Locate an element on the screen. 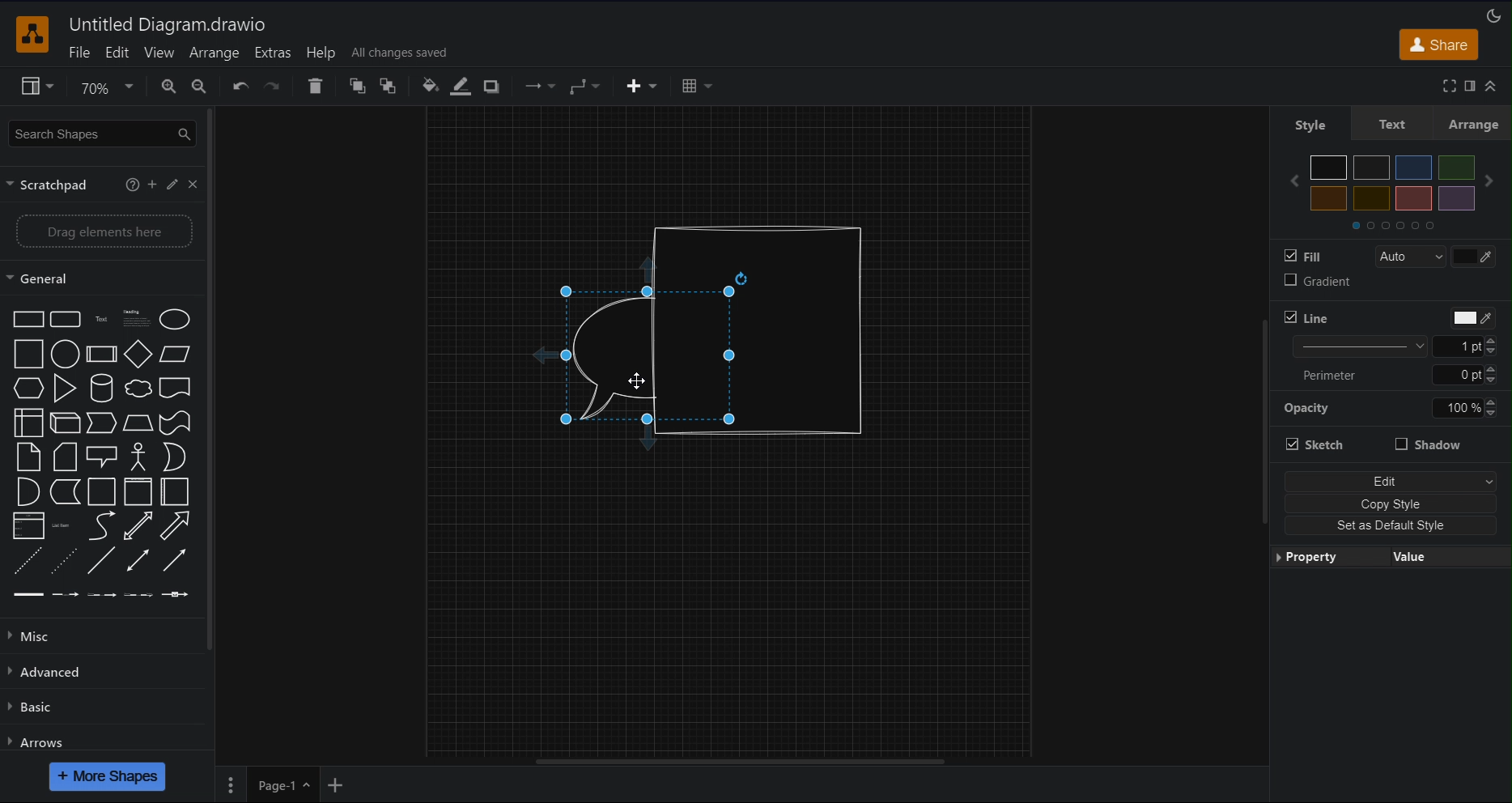 This screenshot has width=1512, height=803. Close scratchpad is located at coordinates (192, 184).